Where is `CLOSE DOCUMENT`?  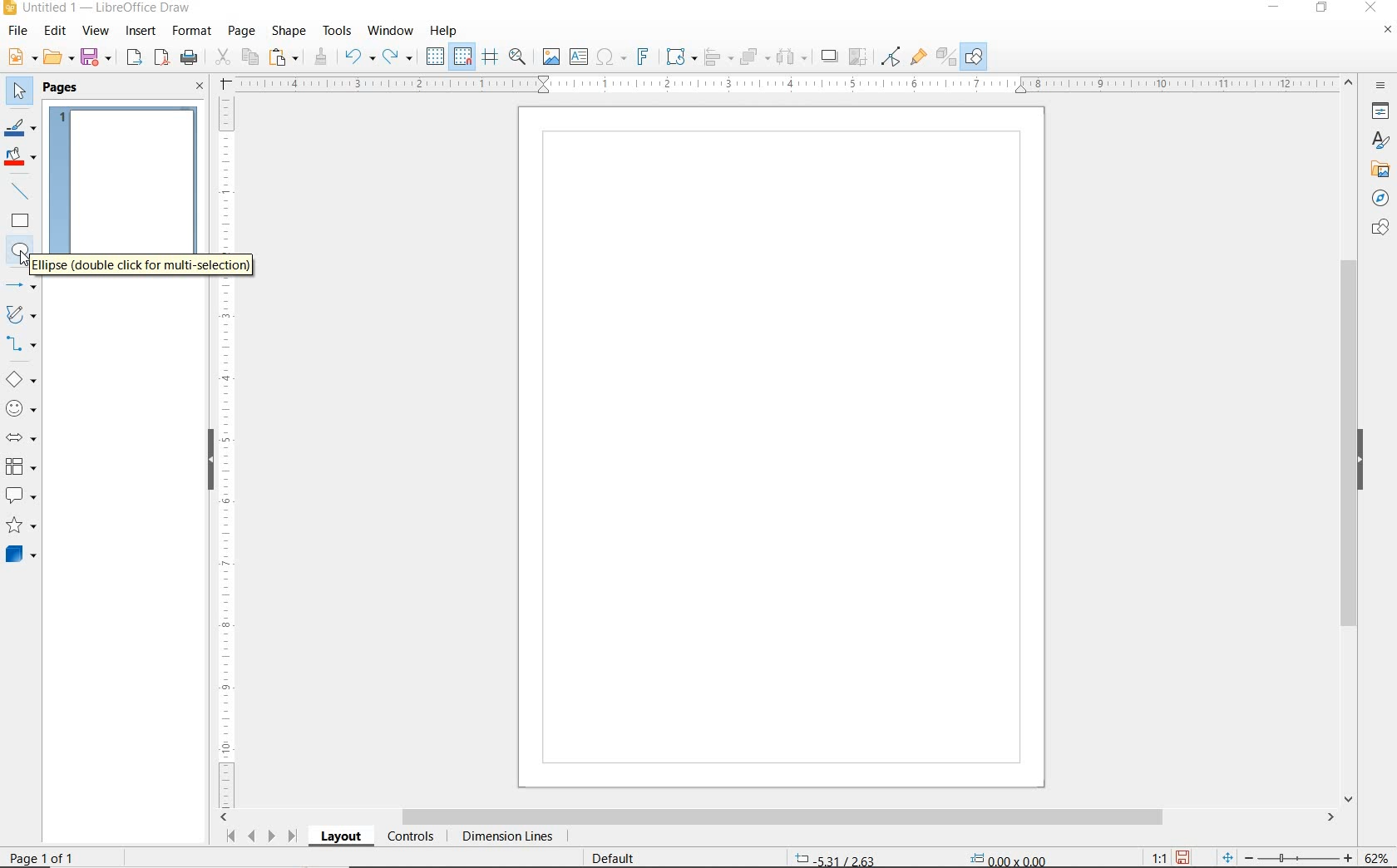
CLOSE DOCUMENT is located at coordinates (1387, 32).